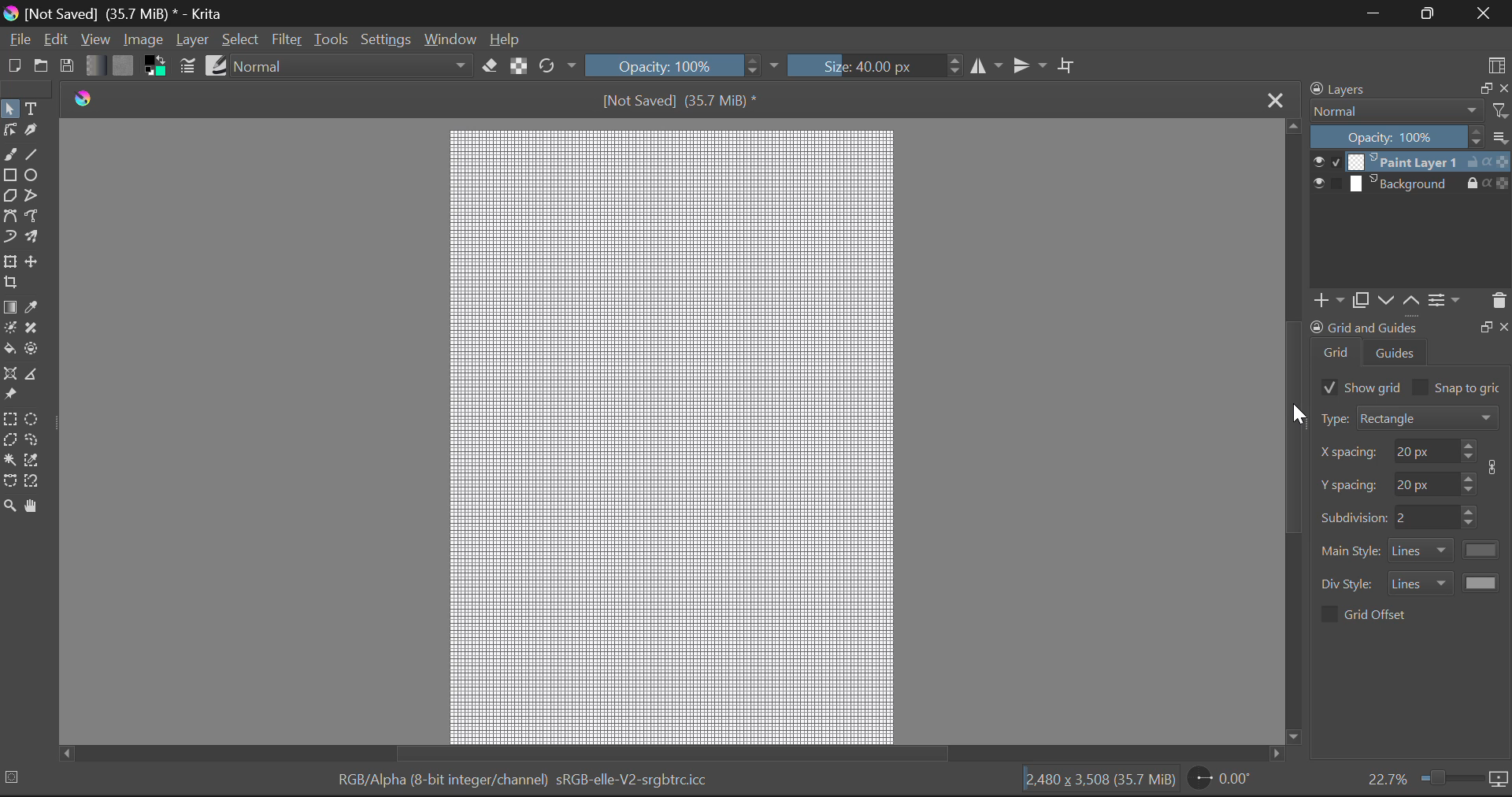 This screenshot has height=797, width=1512. I want to click on Reference Image, so click(10, 395).